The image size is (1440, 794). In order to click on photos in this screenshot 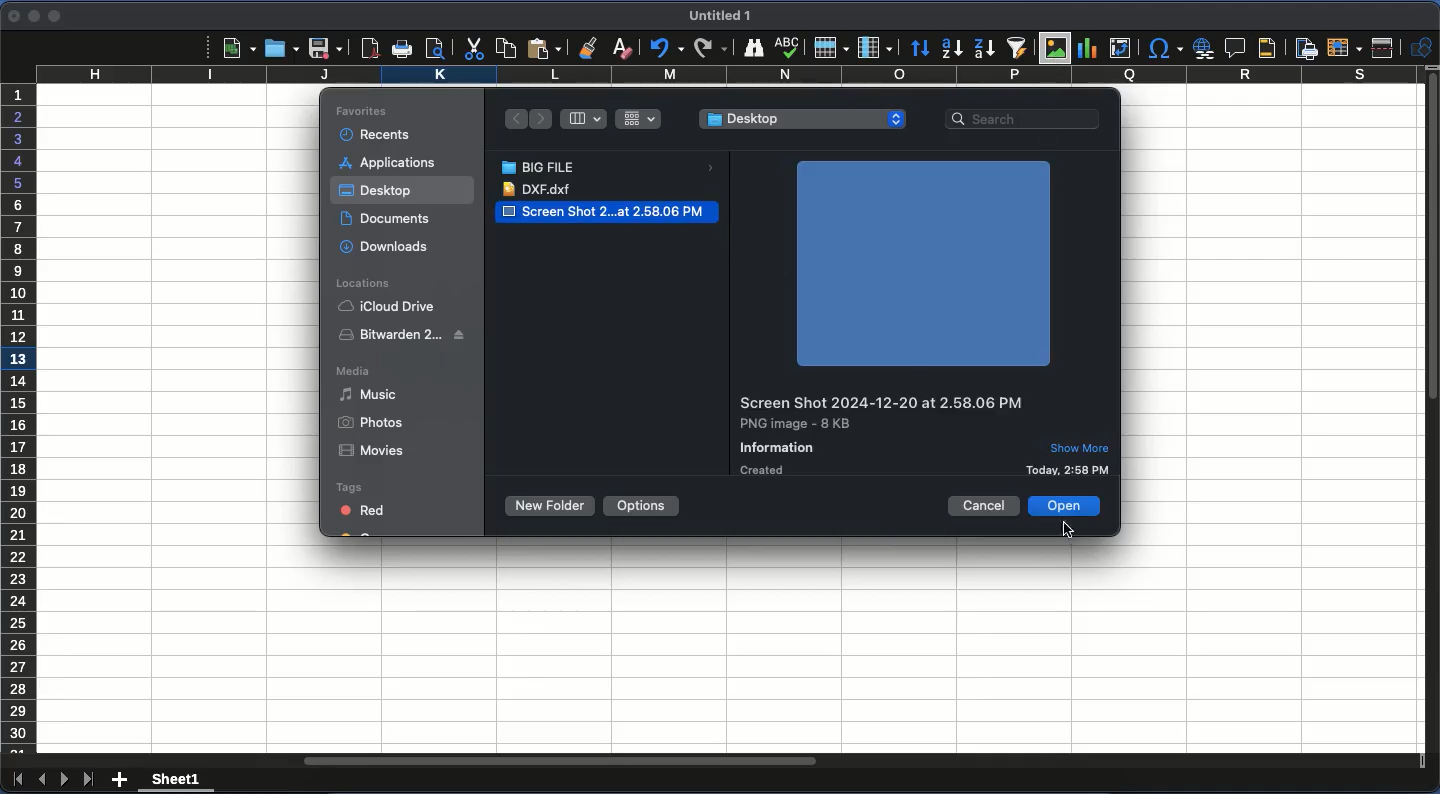, I will do `click(372, 423)`.